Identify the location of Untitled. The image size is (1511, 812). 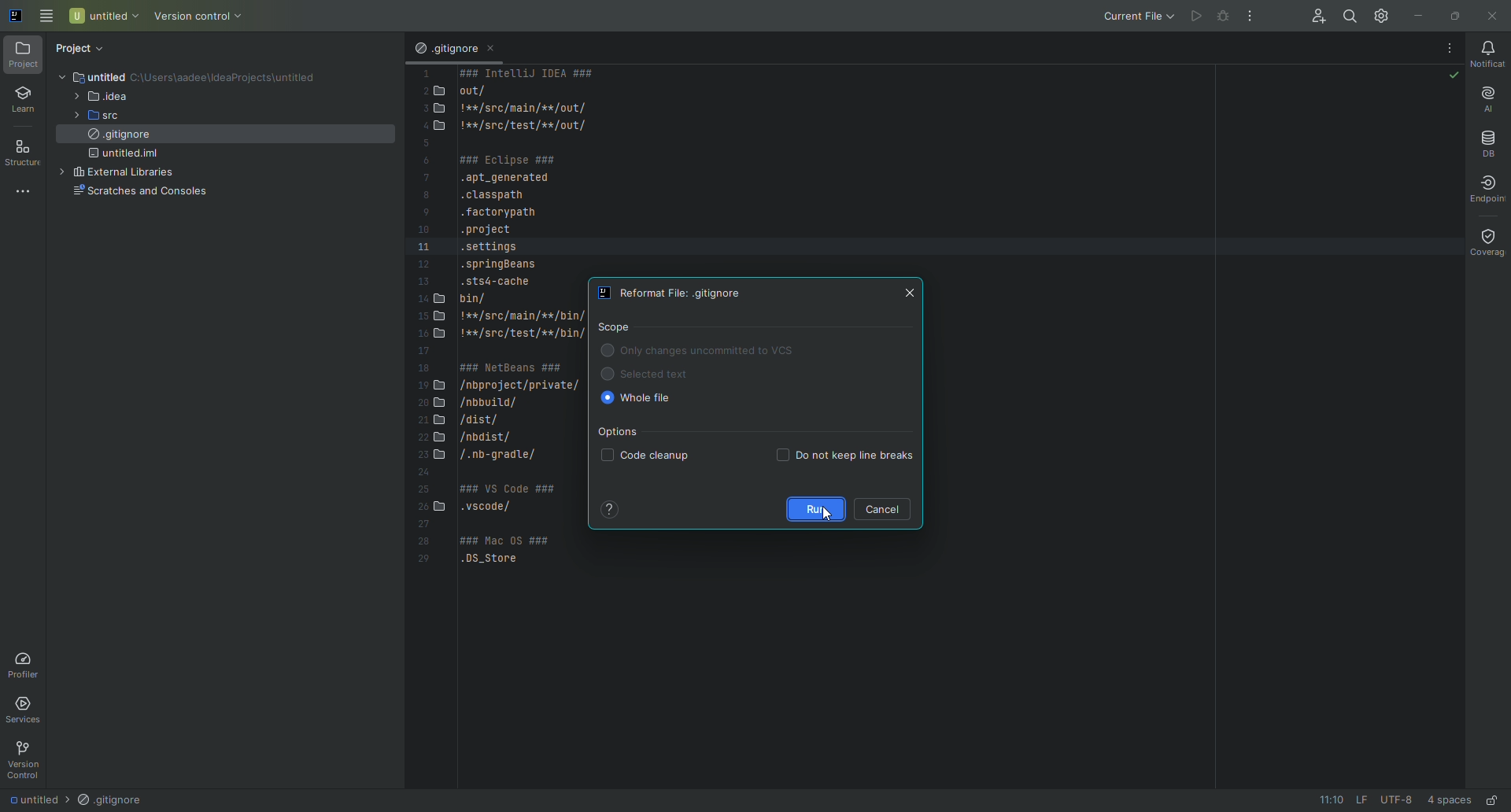
(104, 15).